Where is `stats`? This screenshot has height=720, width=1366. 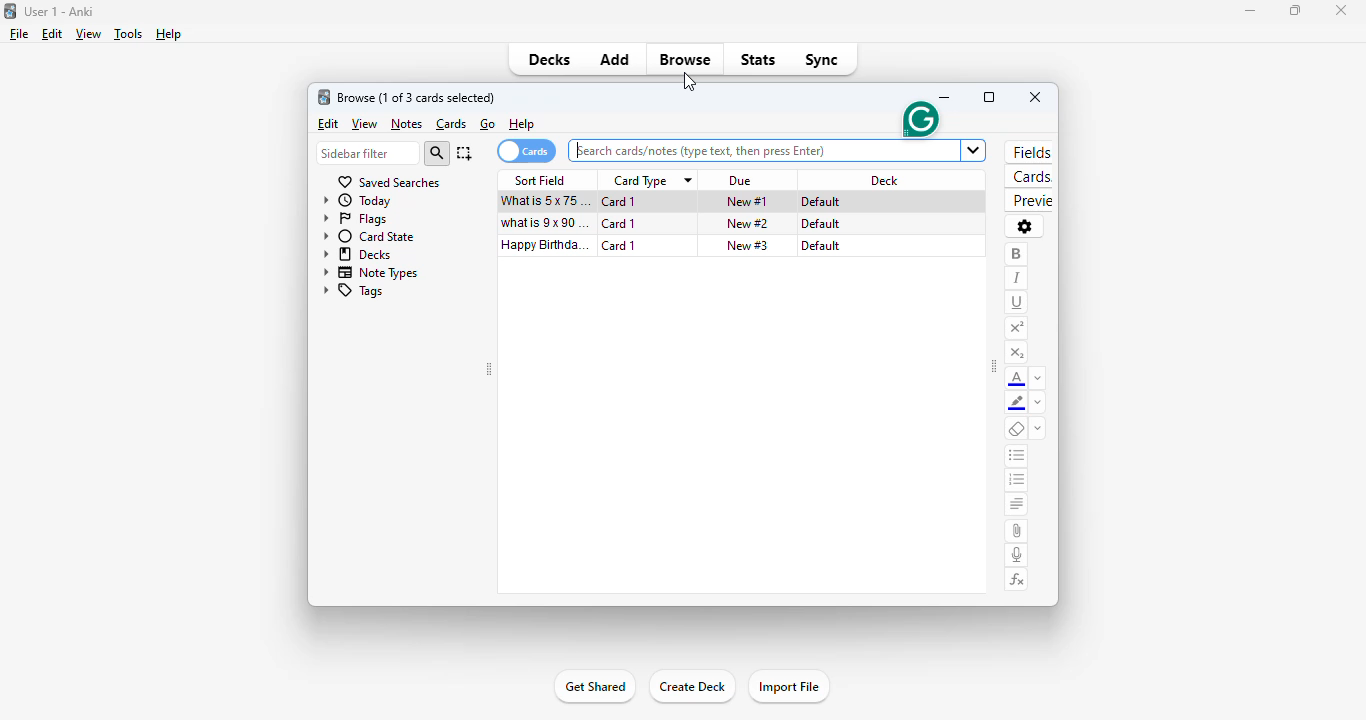 stats is located at coordinates (759, 60).